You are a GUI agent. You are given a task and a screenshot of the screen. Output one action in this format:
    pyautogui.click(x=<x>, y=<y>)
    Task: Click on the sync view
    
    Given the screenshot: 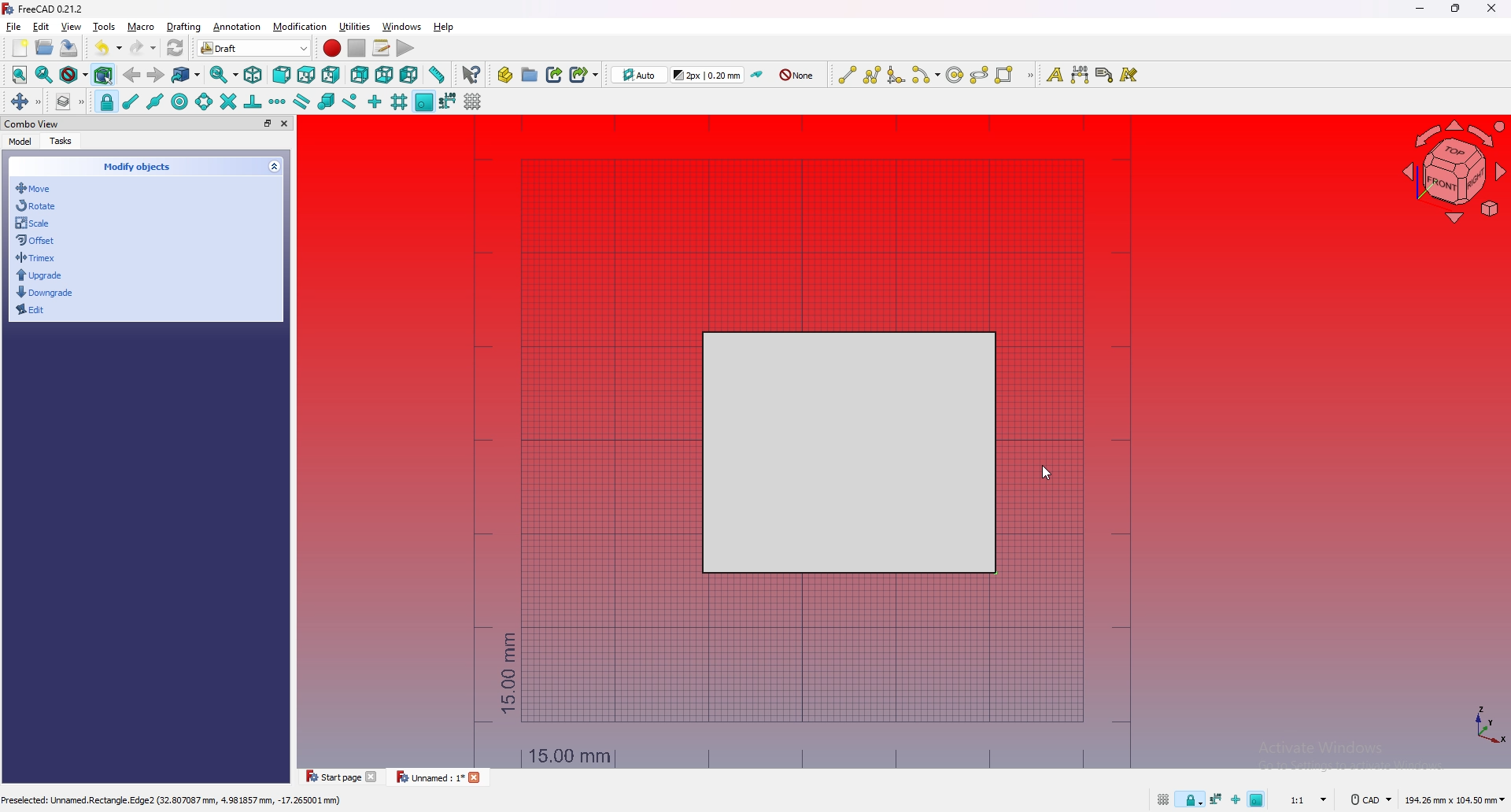 What is the action you would take?
    pyautogui.click(x=224, y=75)
    